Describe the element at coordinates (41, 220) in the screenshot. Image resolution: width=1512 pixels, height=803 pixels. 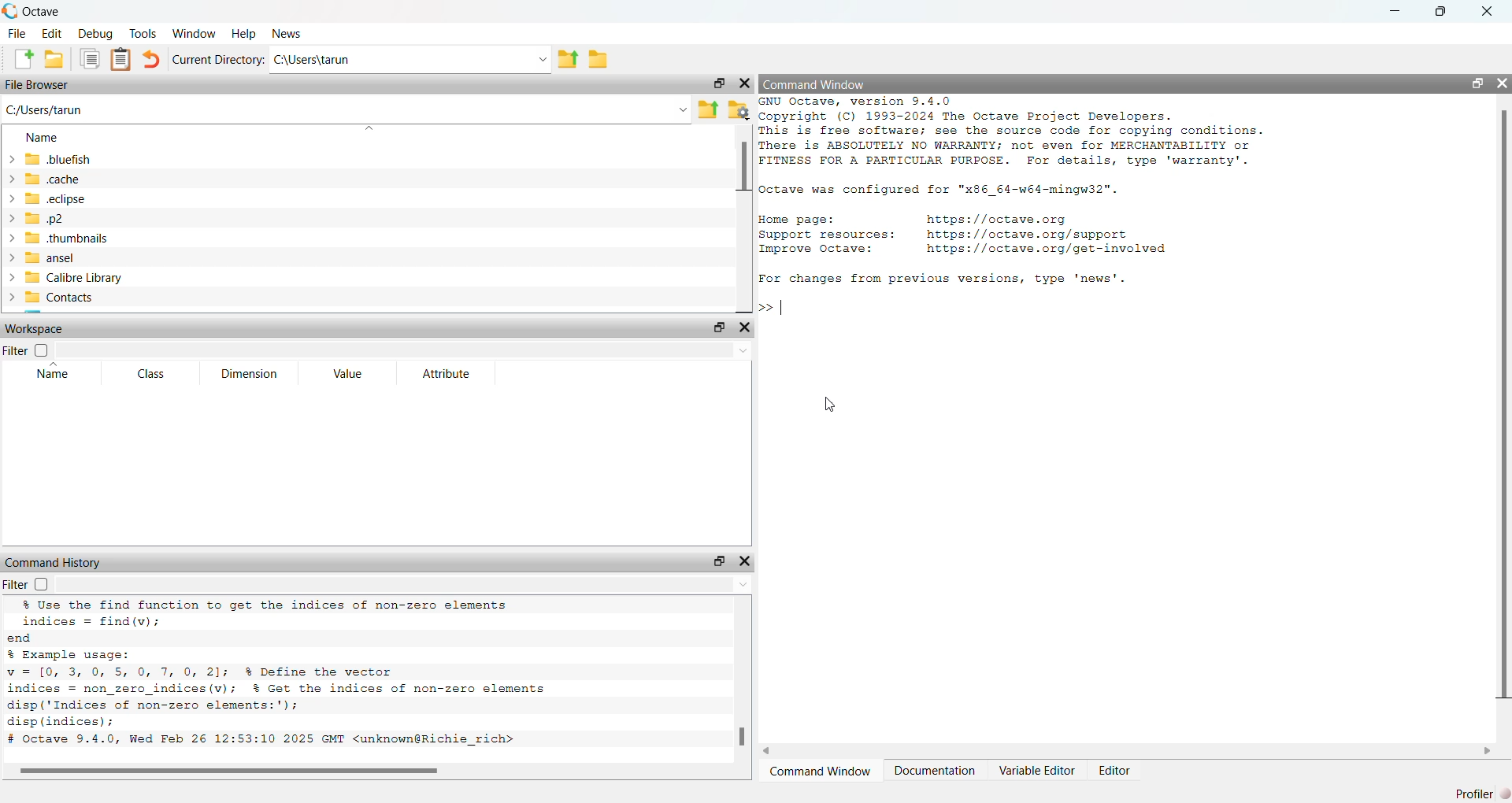
I see `p2` at that location.